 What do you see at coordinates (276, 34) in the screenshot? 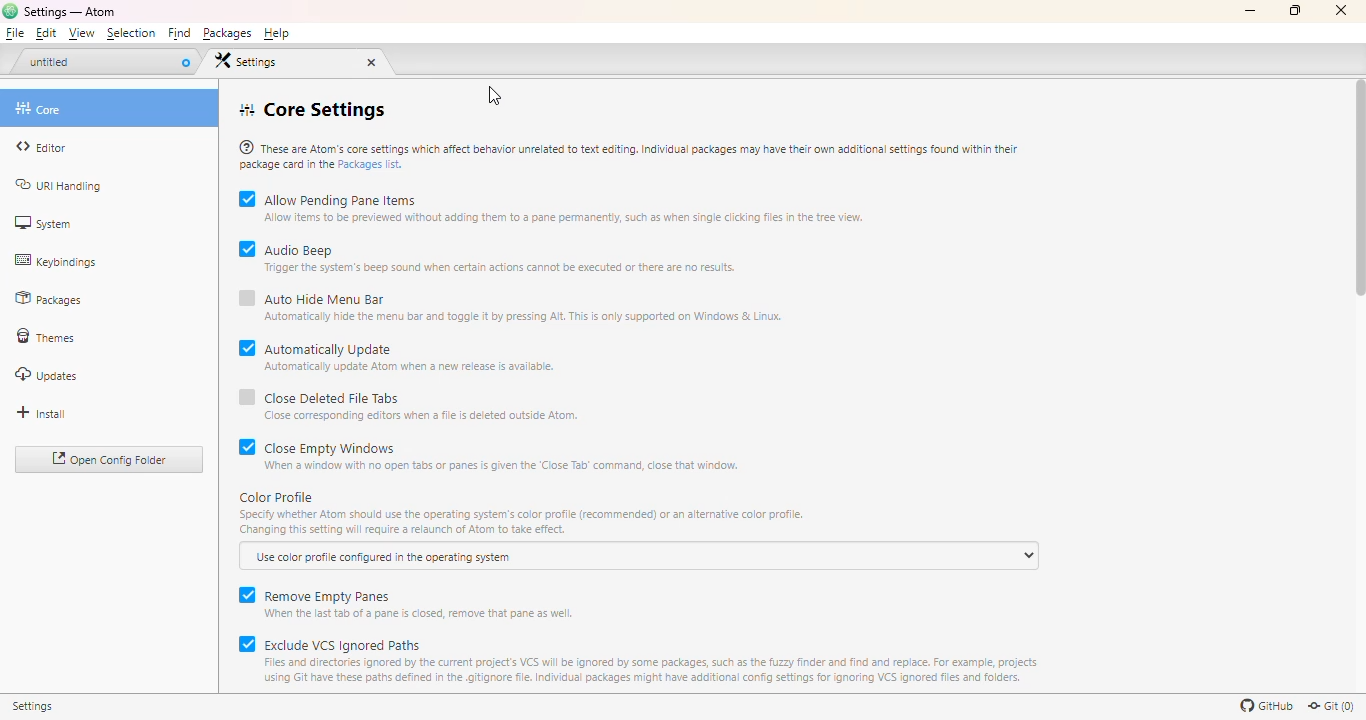
I see `Help` at bounding box center [276, 34].